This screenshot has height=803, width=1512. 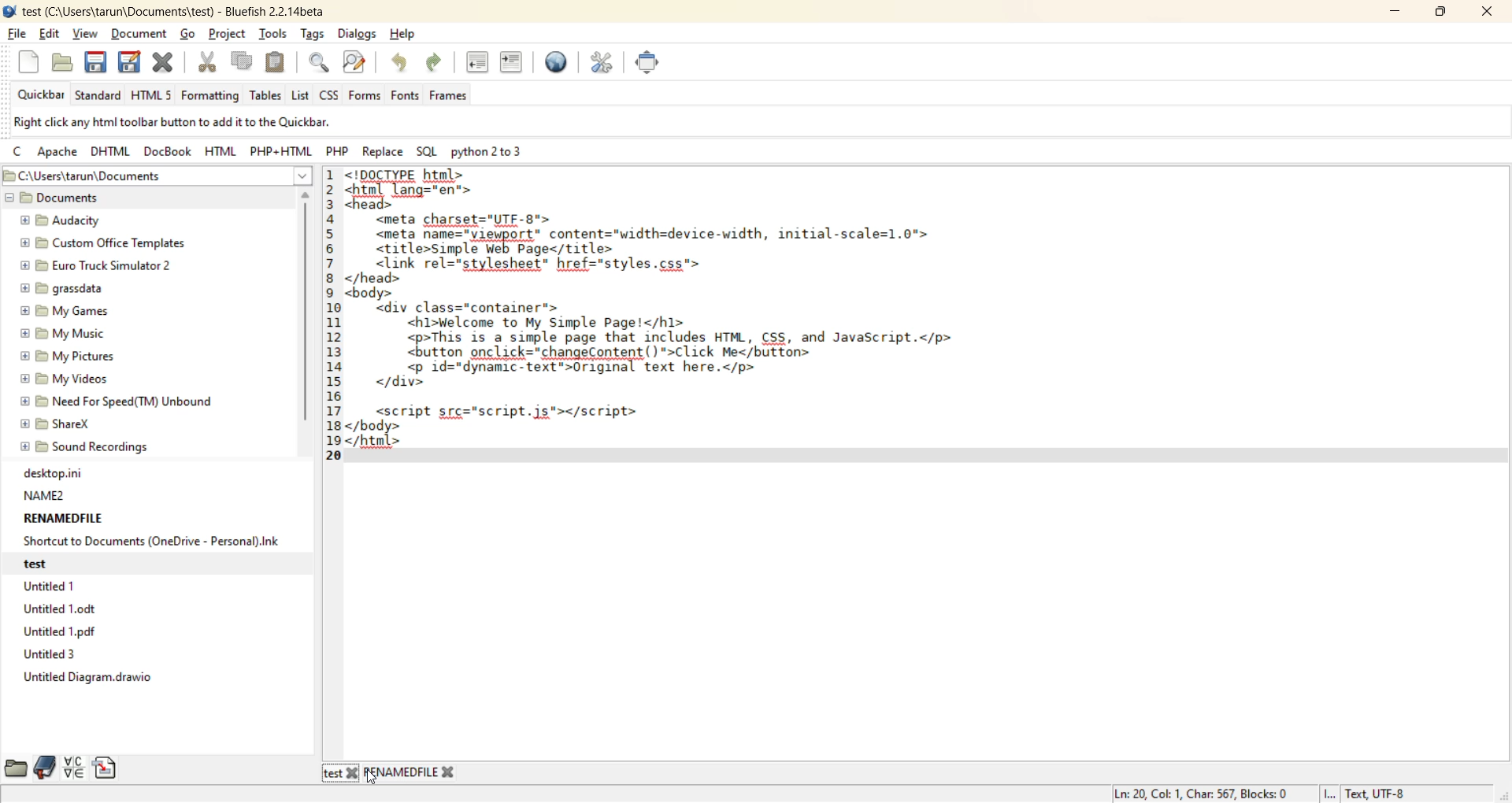 I want to click on replace, so click(x=384, y=151).